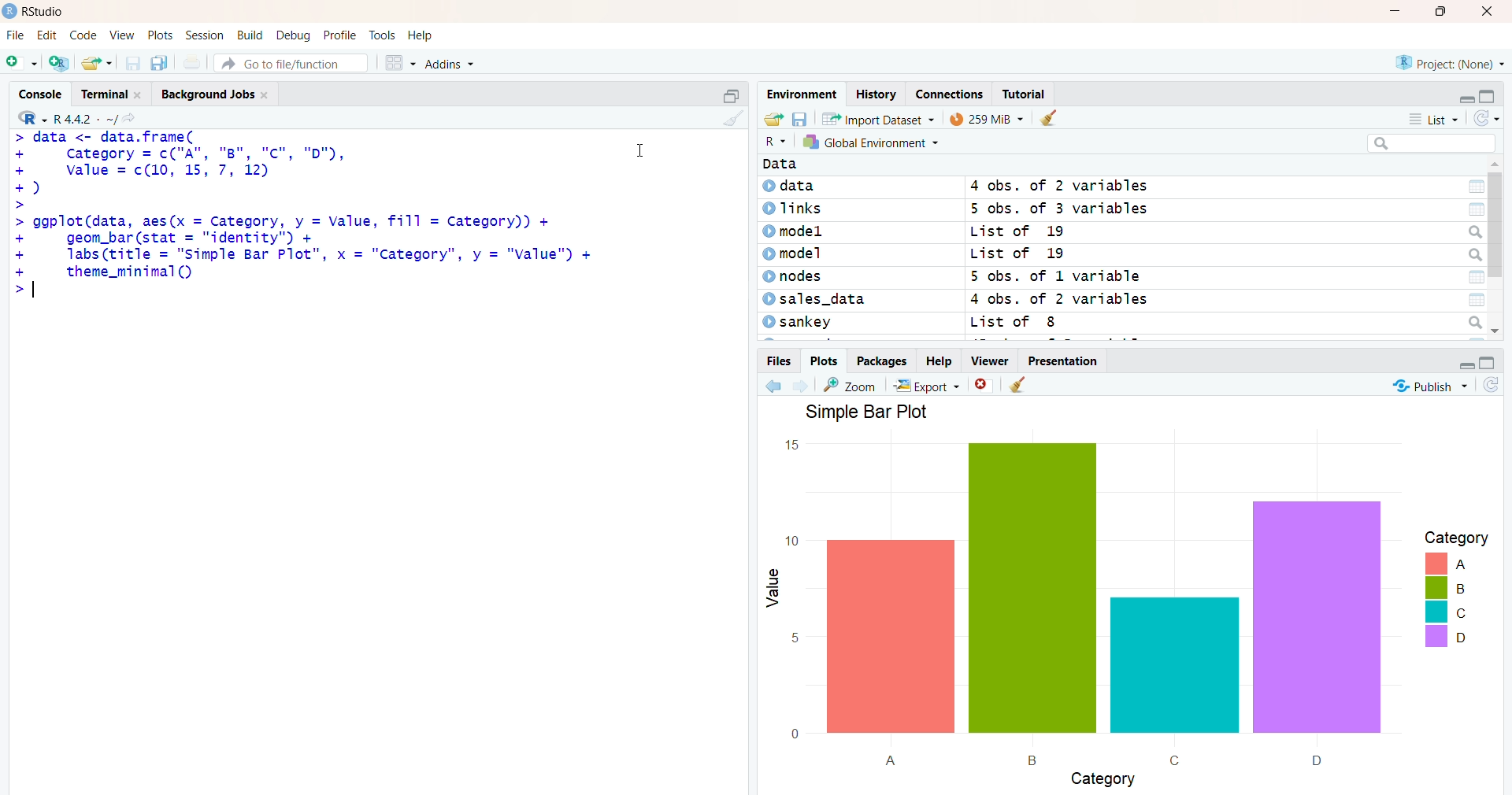  Describe the element at coordinates (423, 35) in the screenshot. I see `help` at that location.